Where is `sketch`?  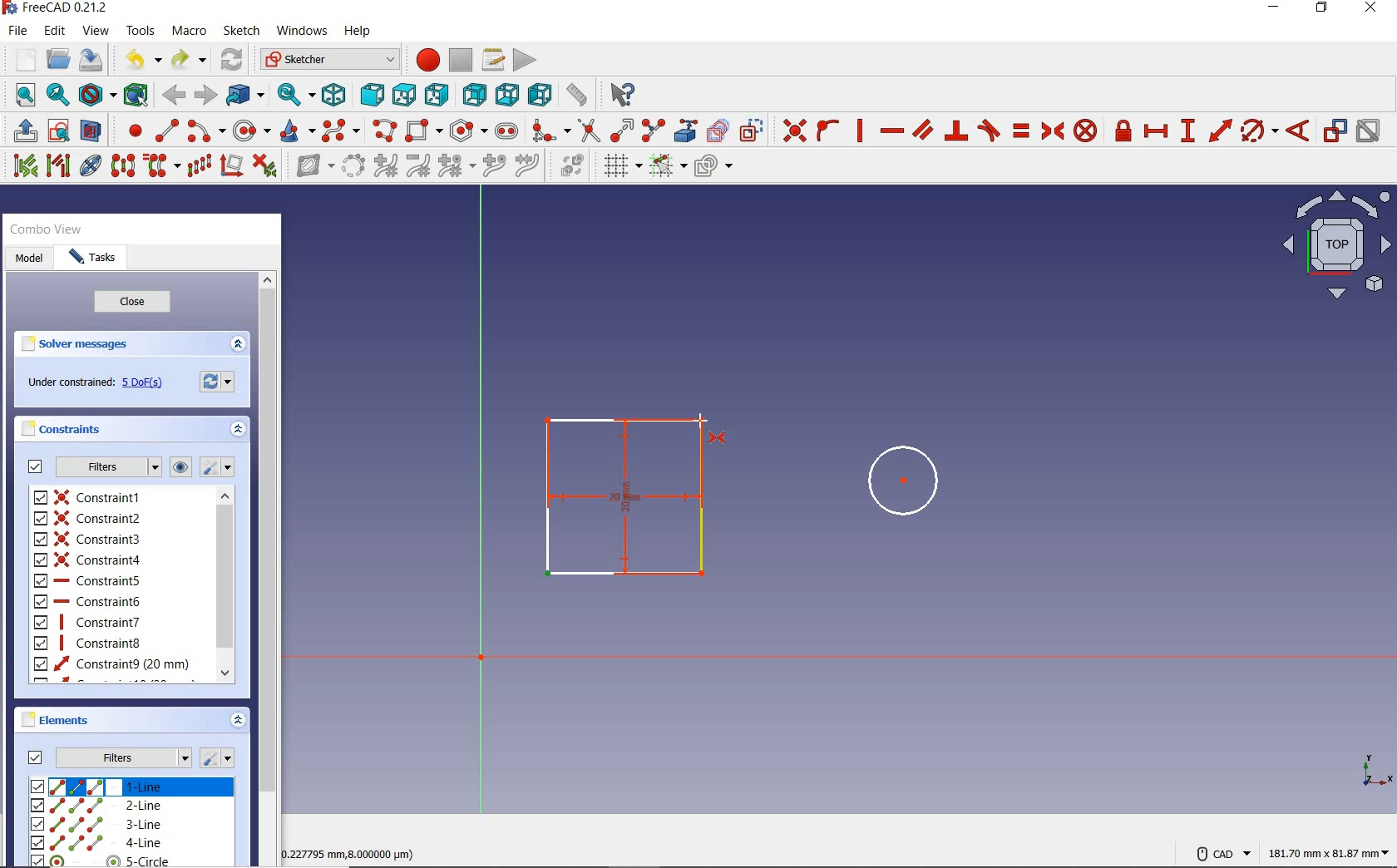 sketch is located at coordinates (243, 32).